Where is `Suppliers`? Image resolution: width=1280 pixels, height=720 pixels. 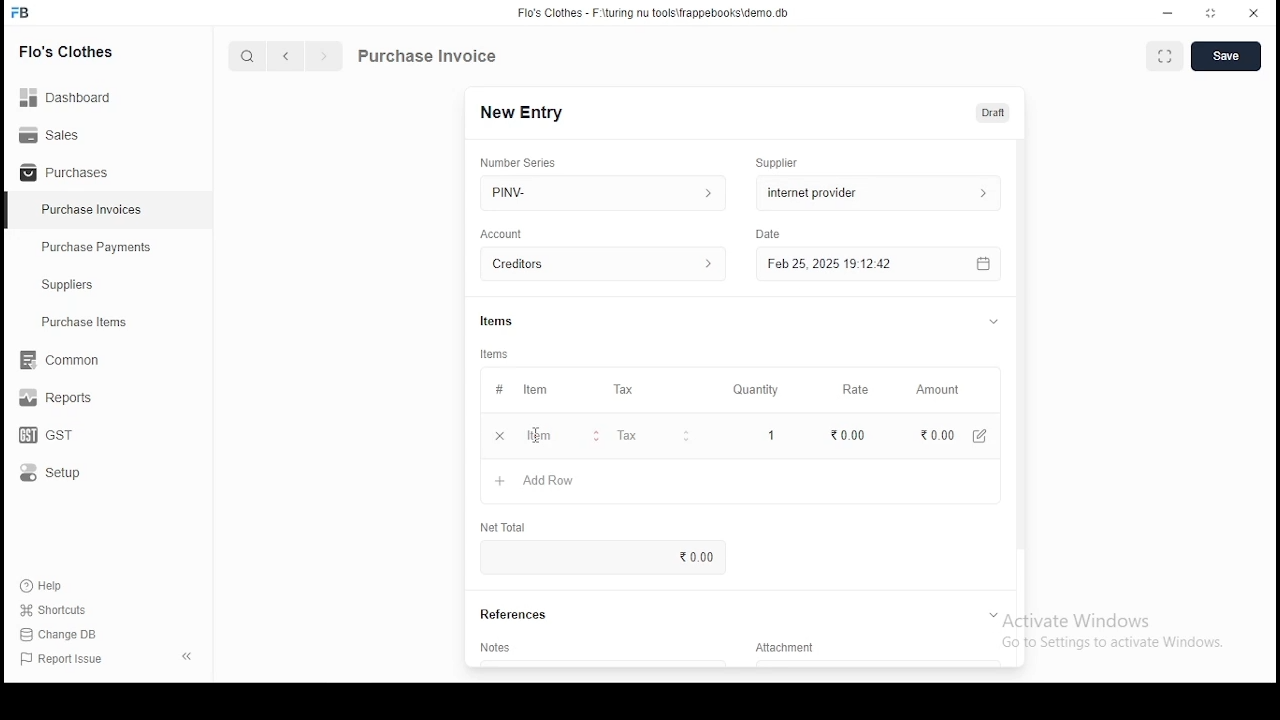 Suppliers is located at coordinates (72, 285).